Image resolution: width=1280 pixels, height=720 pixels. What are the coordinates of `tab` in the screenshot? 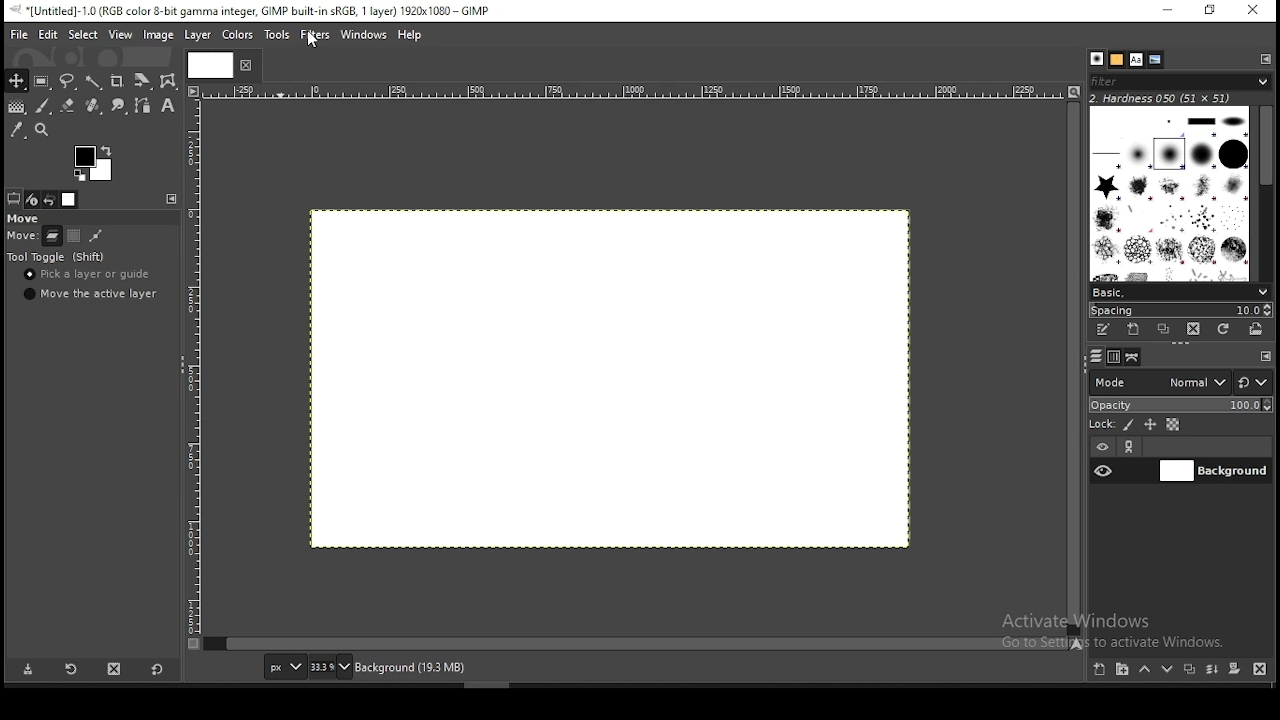 It's located at (208, 64).